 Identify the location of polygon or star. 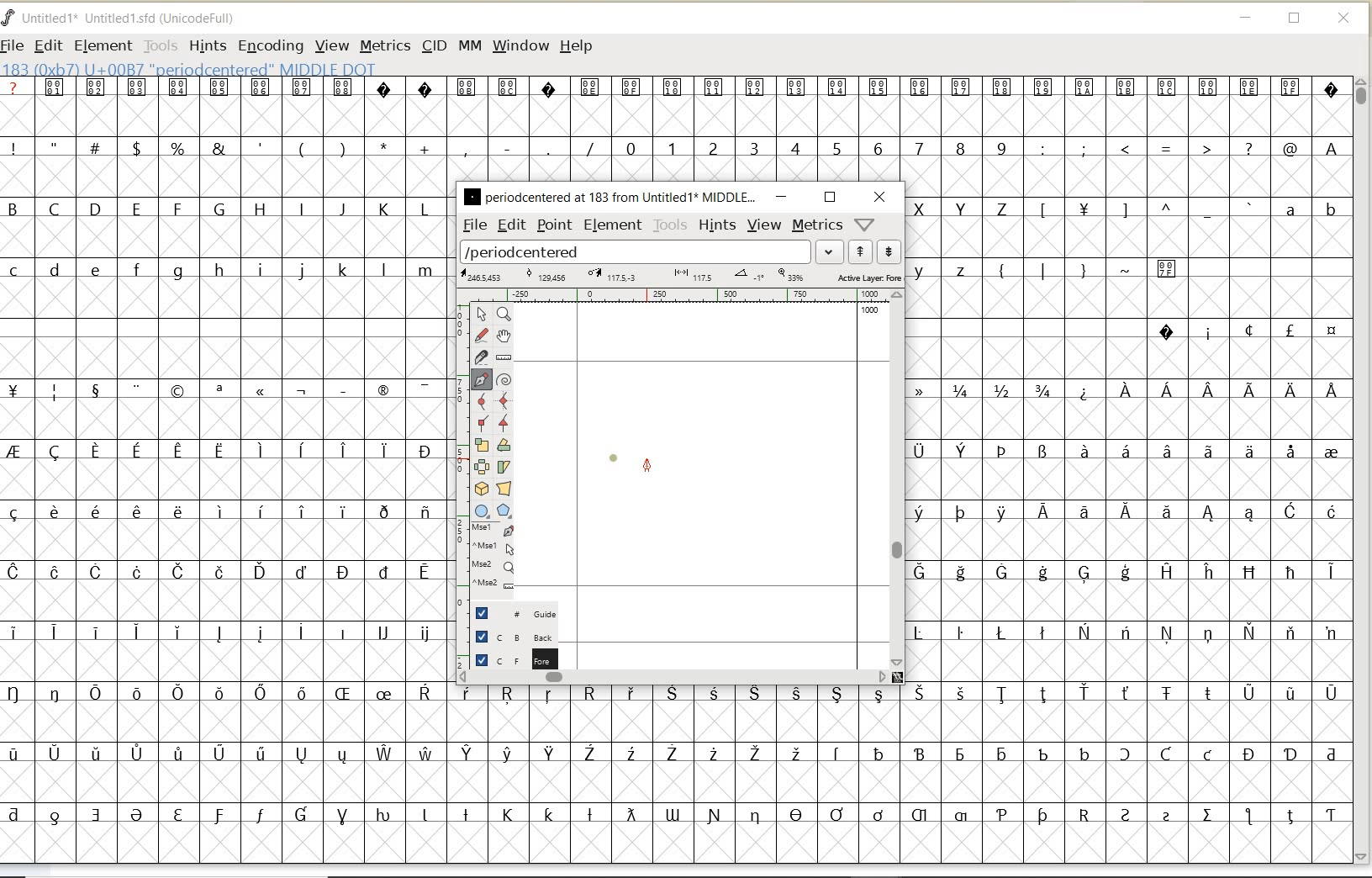
(506, 511).